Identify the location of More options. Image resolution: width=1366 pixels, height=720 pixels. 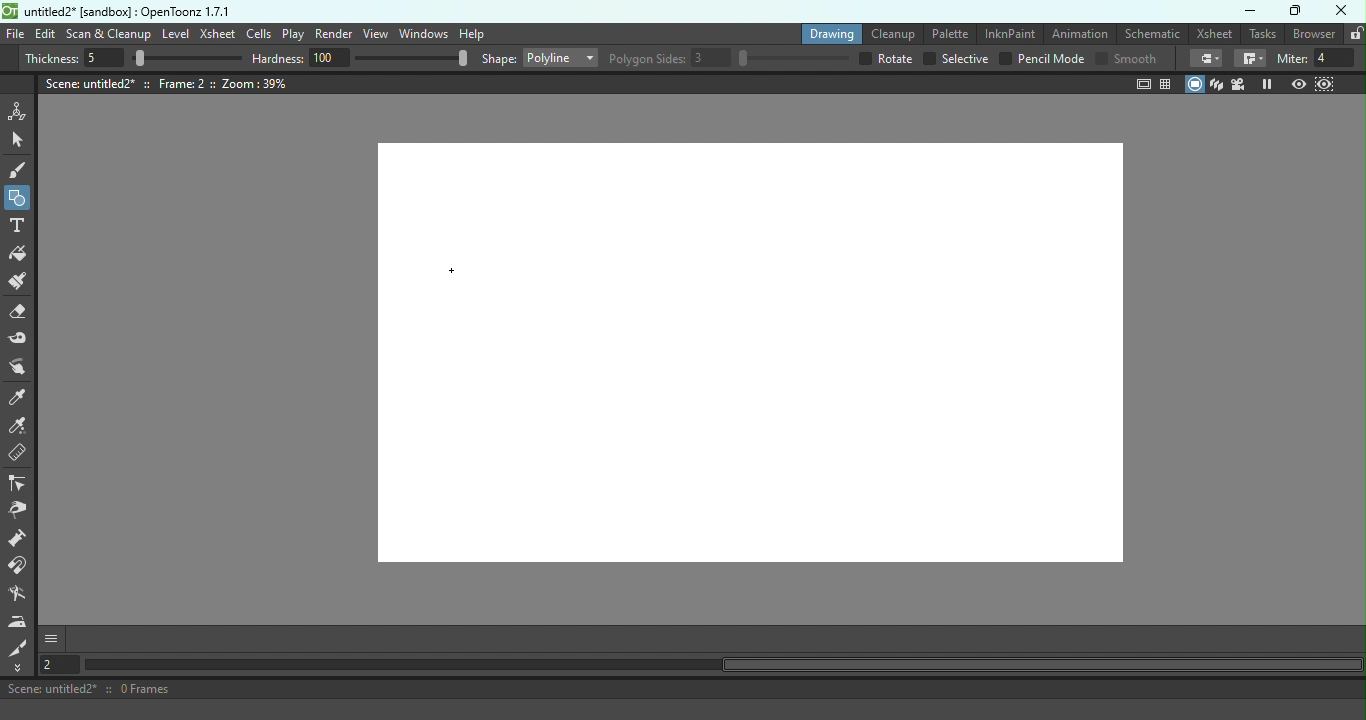
(51, 640).